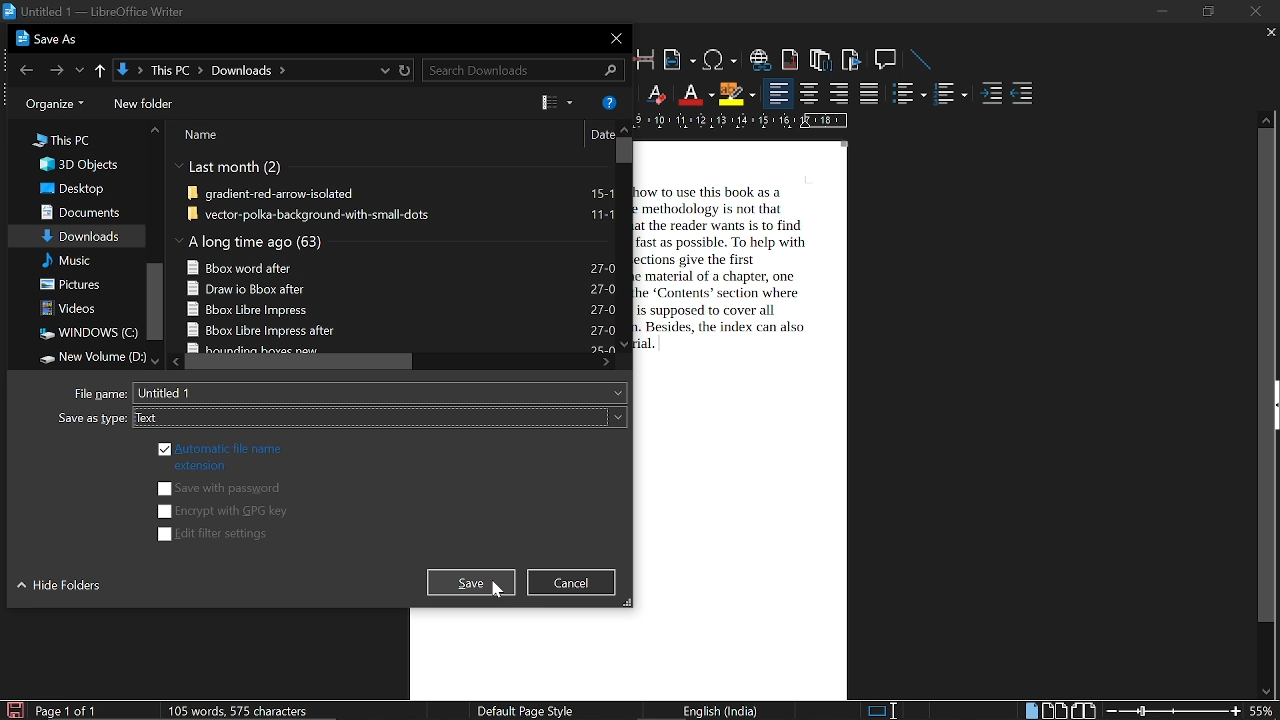 This screenshot has width=1280, height=720. Describe the element at coordinates (402, 195) in the screenshot. I see `gradient-red-arrow-isolated 15-1` at that location.